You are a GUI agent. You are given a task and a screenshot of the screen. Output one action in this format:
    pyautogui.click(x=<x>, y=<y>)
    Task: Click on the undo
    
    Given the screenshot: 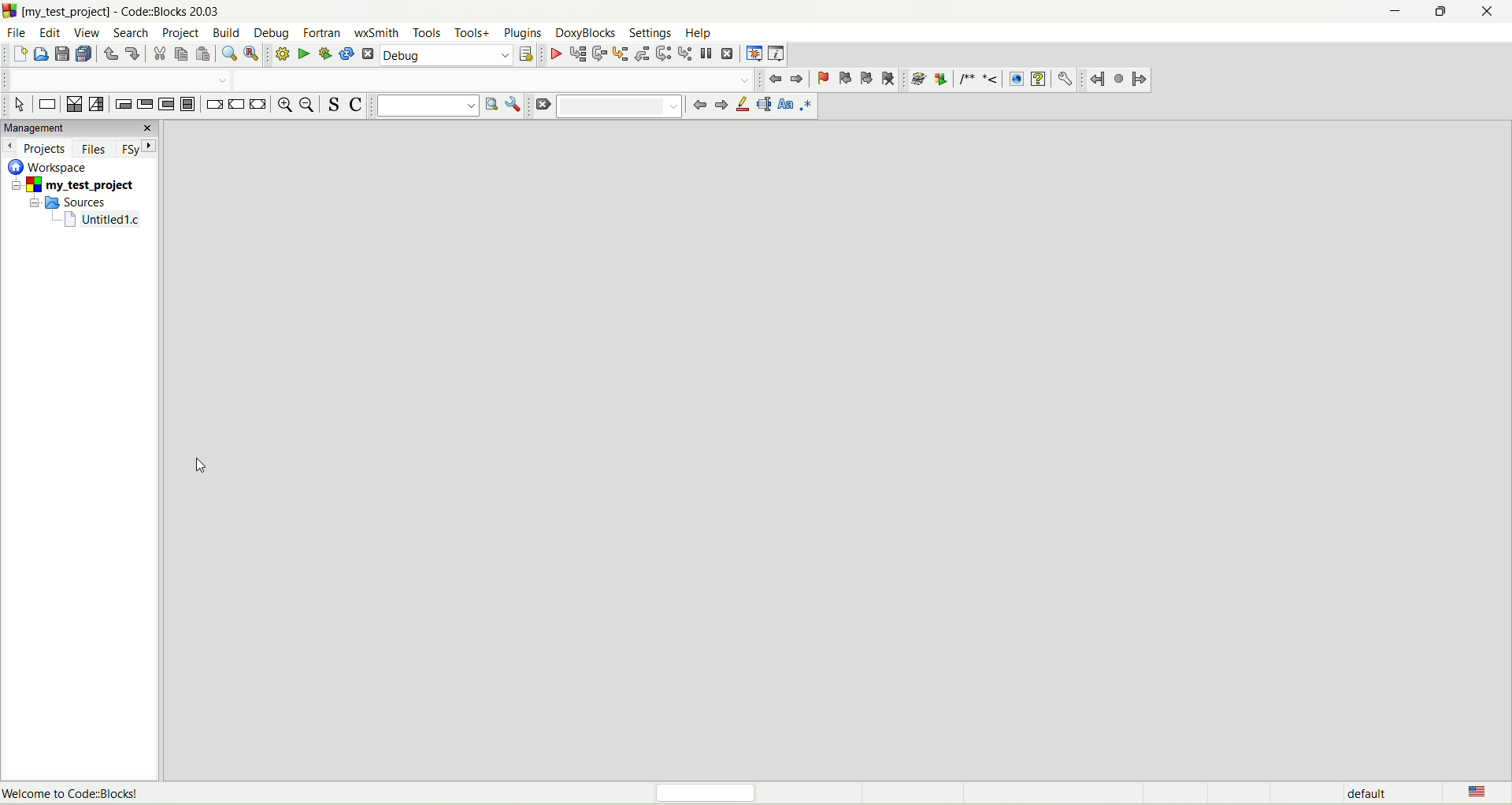 What is the action you would take?
    pyautogui.click(x=109, y=55)
    